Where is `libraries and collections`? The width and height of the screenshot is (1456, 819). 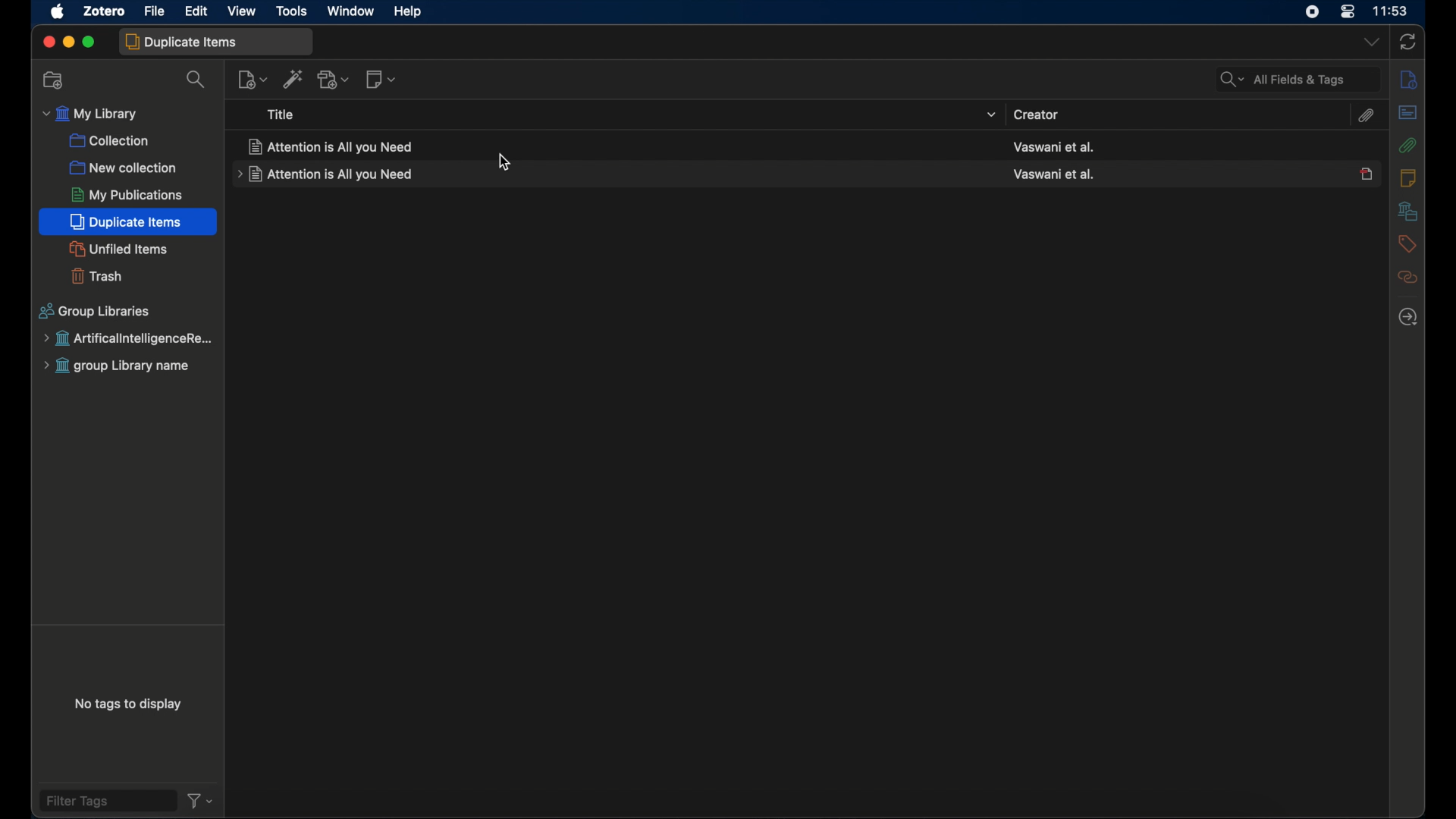 libraries and collections is located at coordinates (1410, 211).